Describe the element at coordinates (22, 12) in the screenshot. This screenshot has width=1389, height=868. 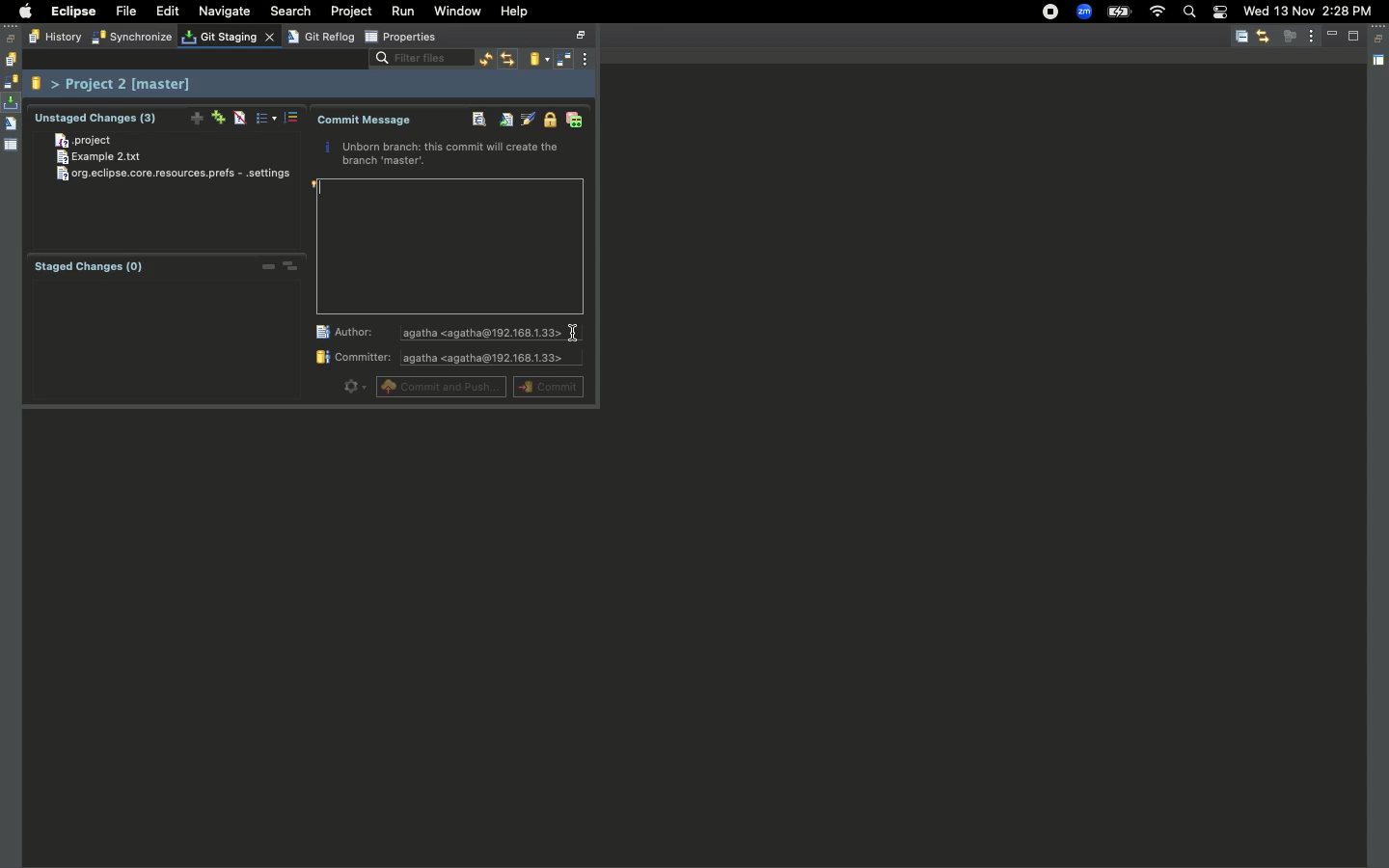
I see `Apple logo` at that location.